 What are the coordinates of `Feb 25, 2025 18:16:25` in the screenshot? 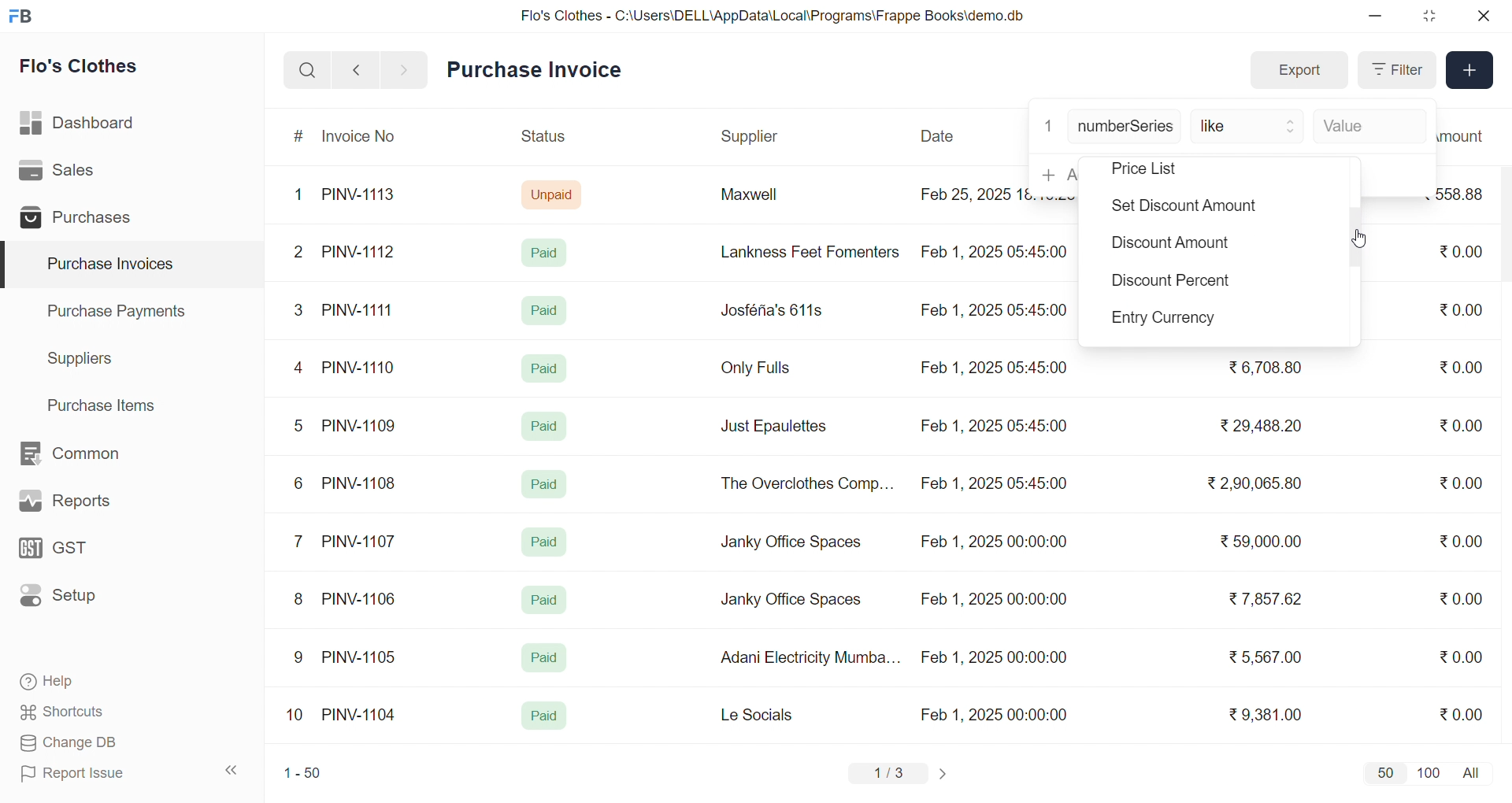 It's located at (972, 194).